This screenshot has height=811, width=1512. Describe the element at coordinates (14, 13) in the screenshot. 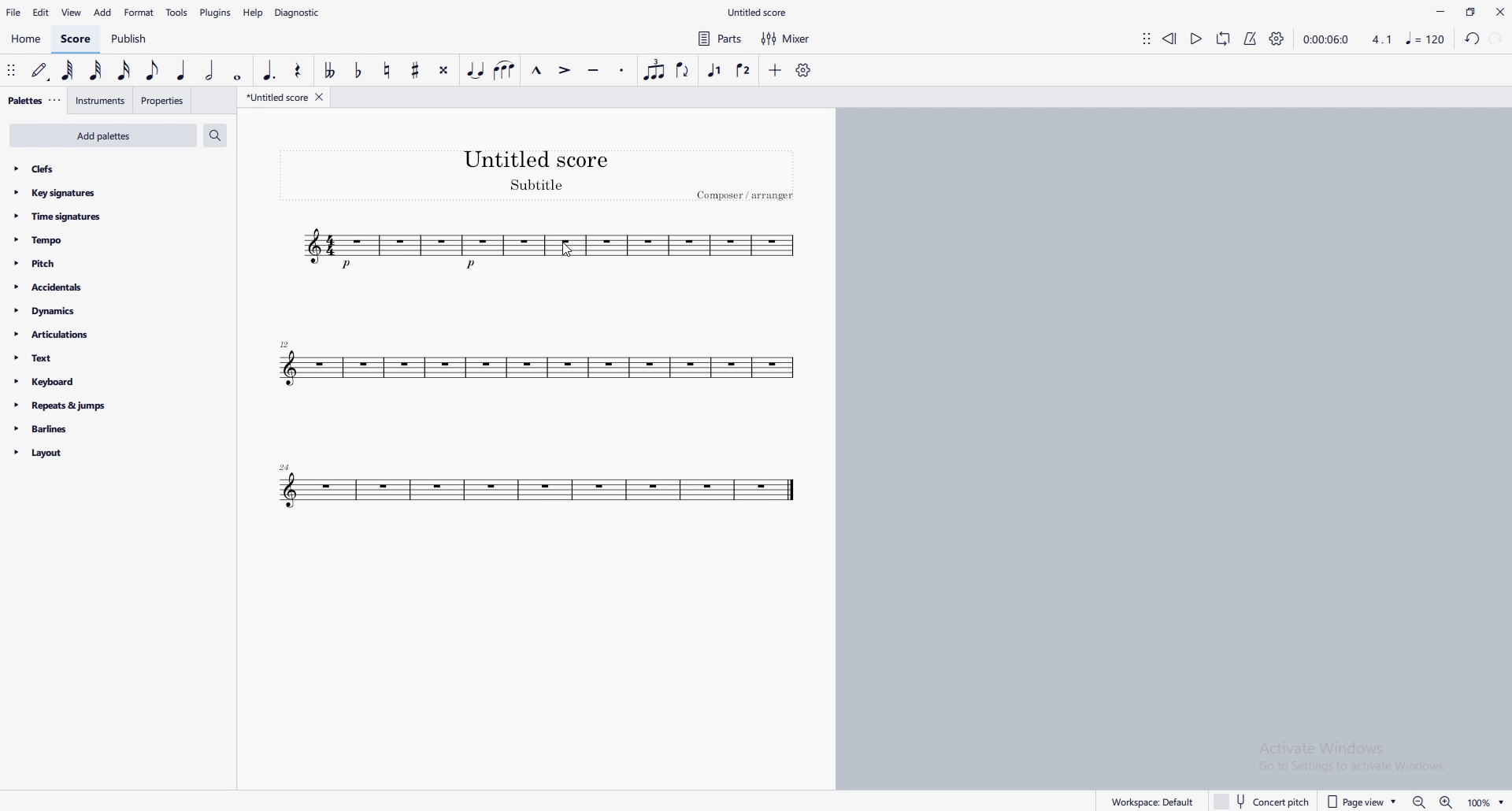

I see `file` at that location.